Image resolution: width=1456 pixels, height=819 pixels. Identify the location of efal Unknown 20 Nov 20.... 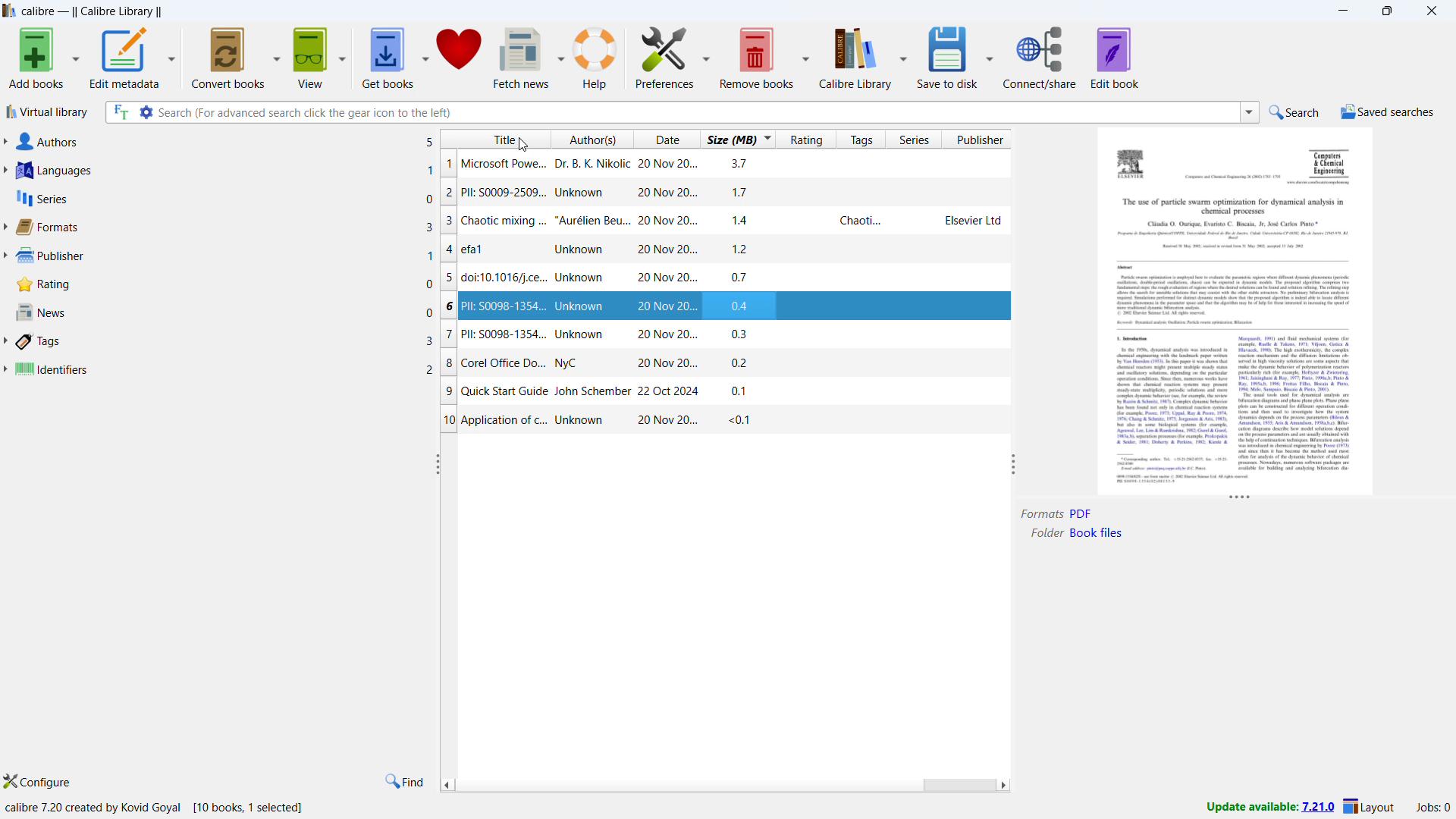
(582, 250).